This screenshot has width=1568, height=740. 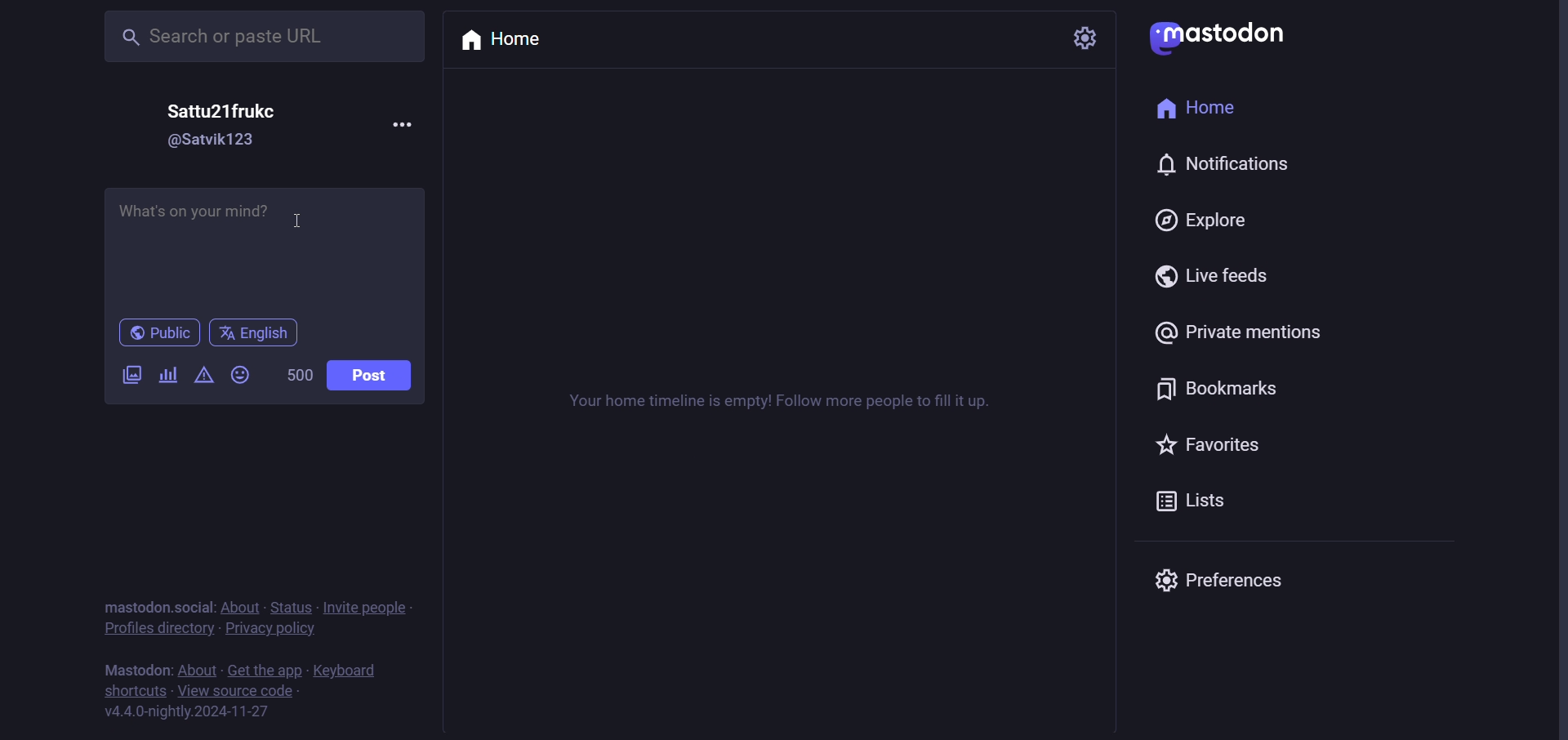 What do you see at coordinates (1186, 504) in the screenshot?
I see `lists` at bounding box center [1186, 504].